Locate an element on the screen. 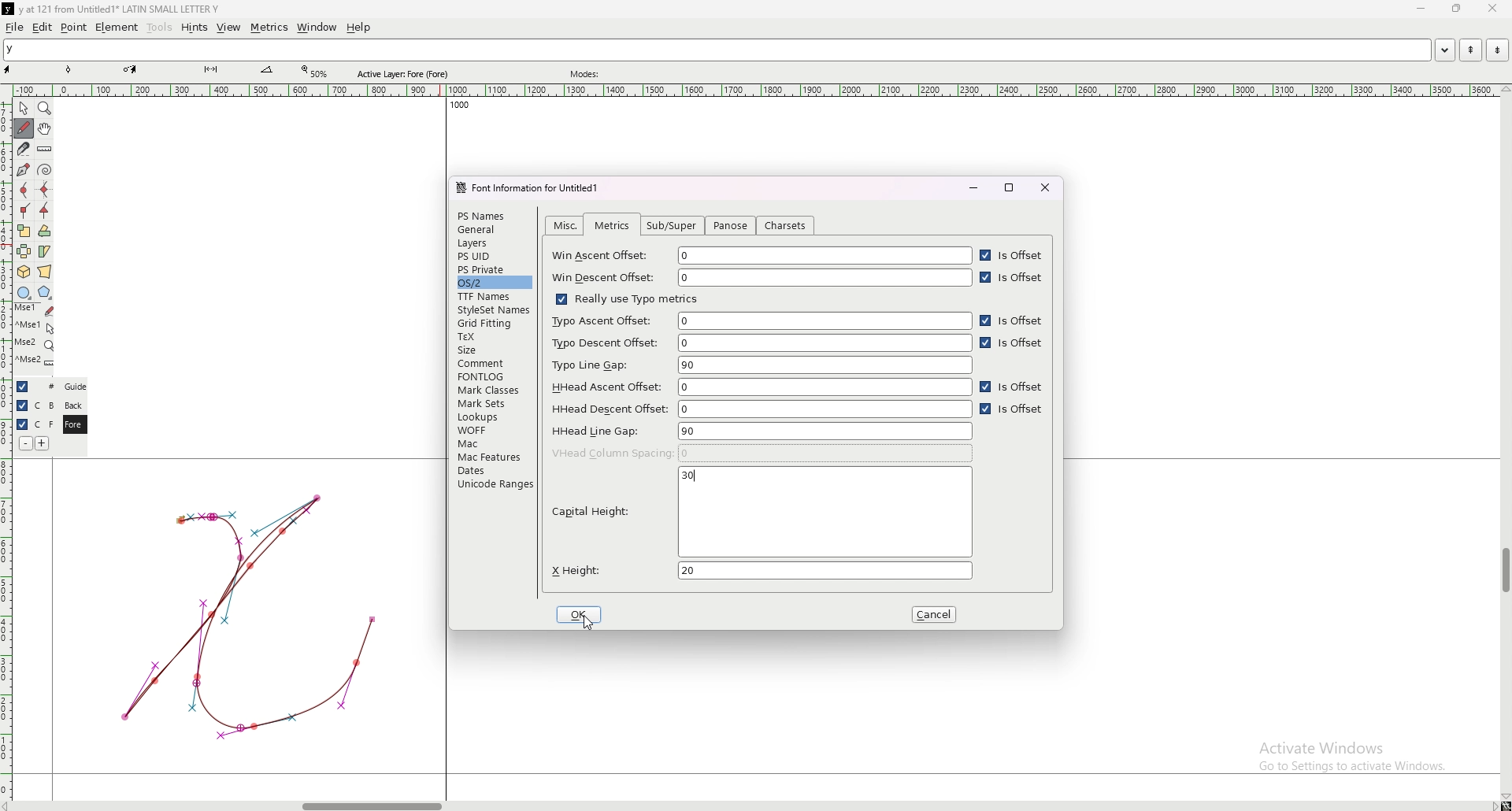 The height and width of the screenshot is (811, 1512). minimize is located at coordinates (1423, 9).